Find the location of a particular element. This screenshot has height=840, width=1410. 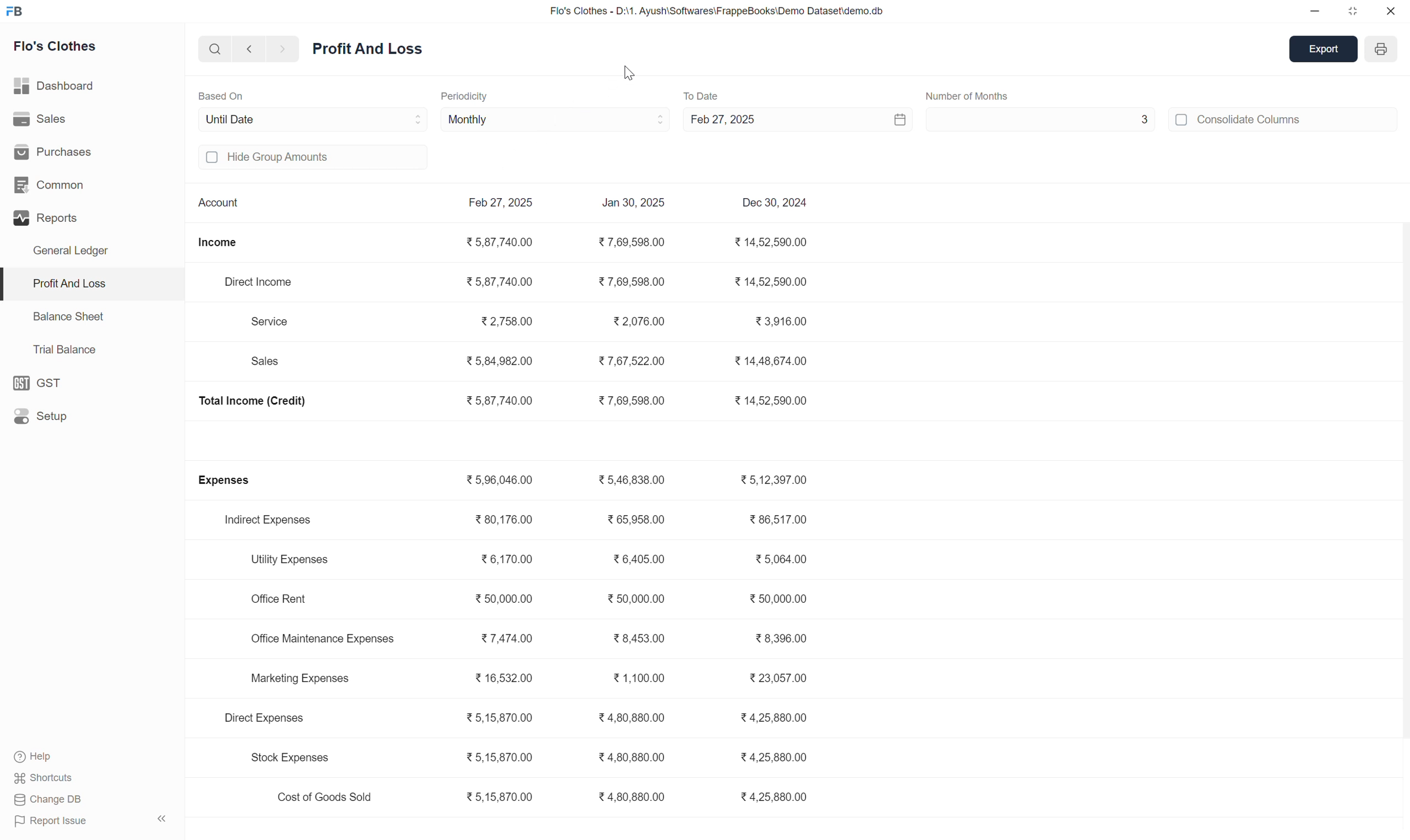

Until Date is located at coordinates (245, 120).